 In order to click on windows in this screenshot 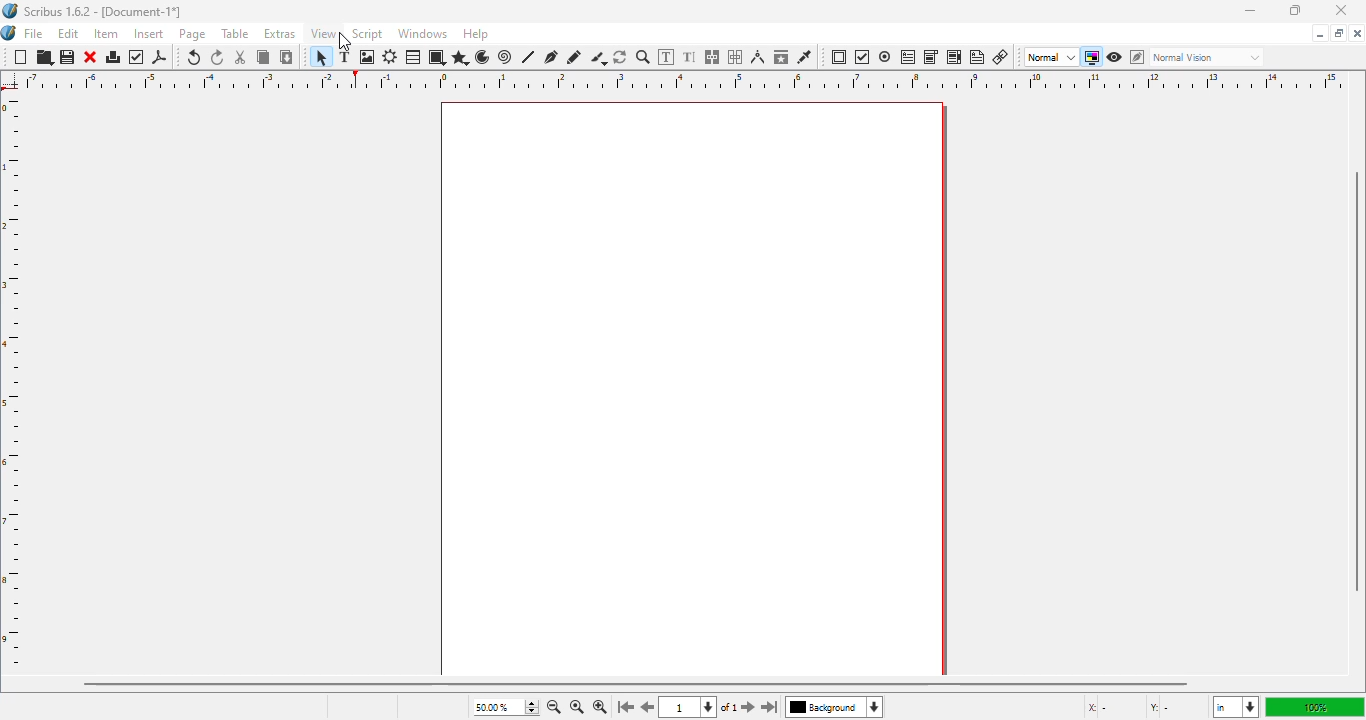, I will do `click(423, 34)`.